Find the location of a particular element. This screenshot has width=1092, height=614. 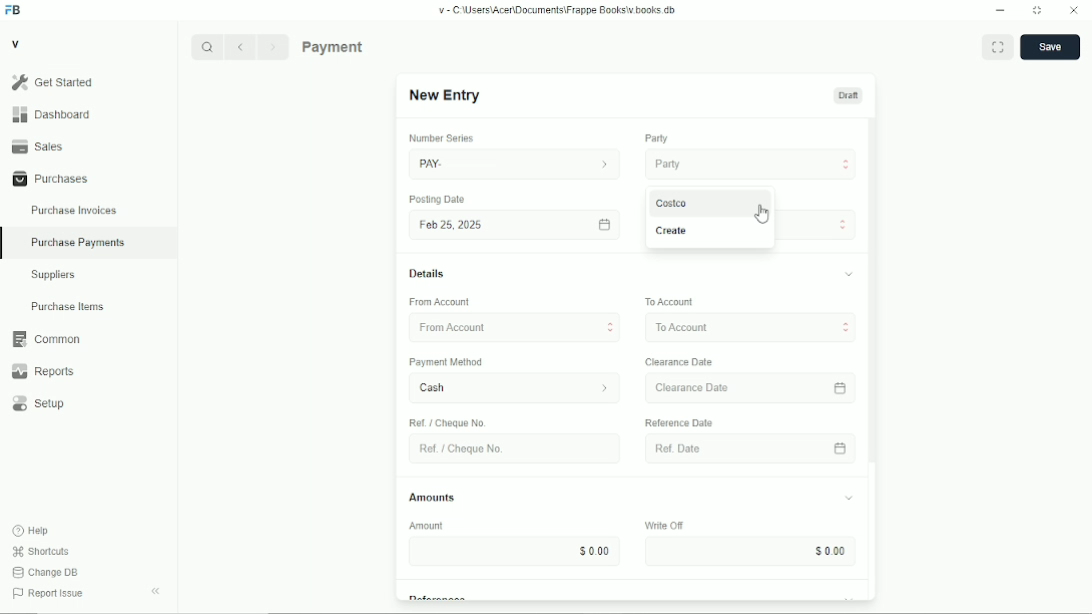

Dashboard is located at coordinates (88, 114).